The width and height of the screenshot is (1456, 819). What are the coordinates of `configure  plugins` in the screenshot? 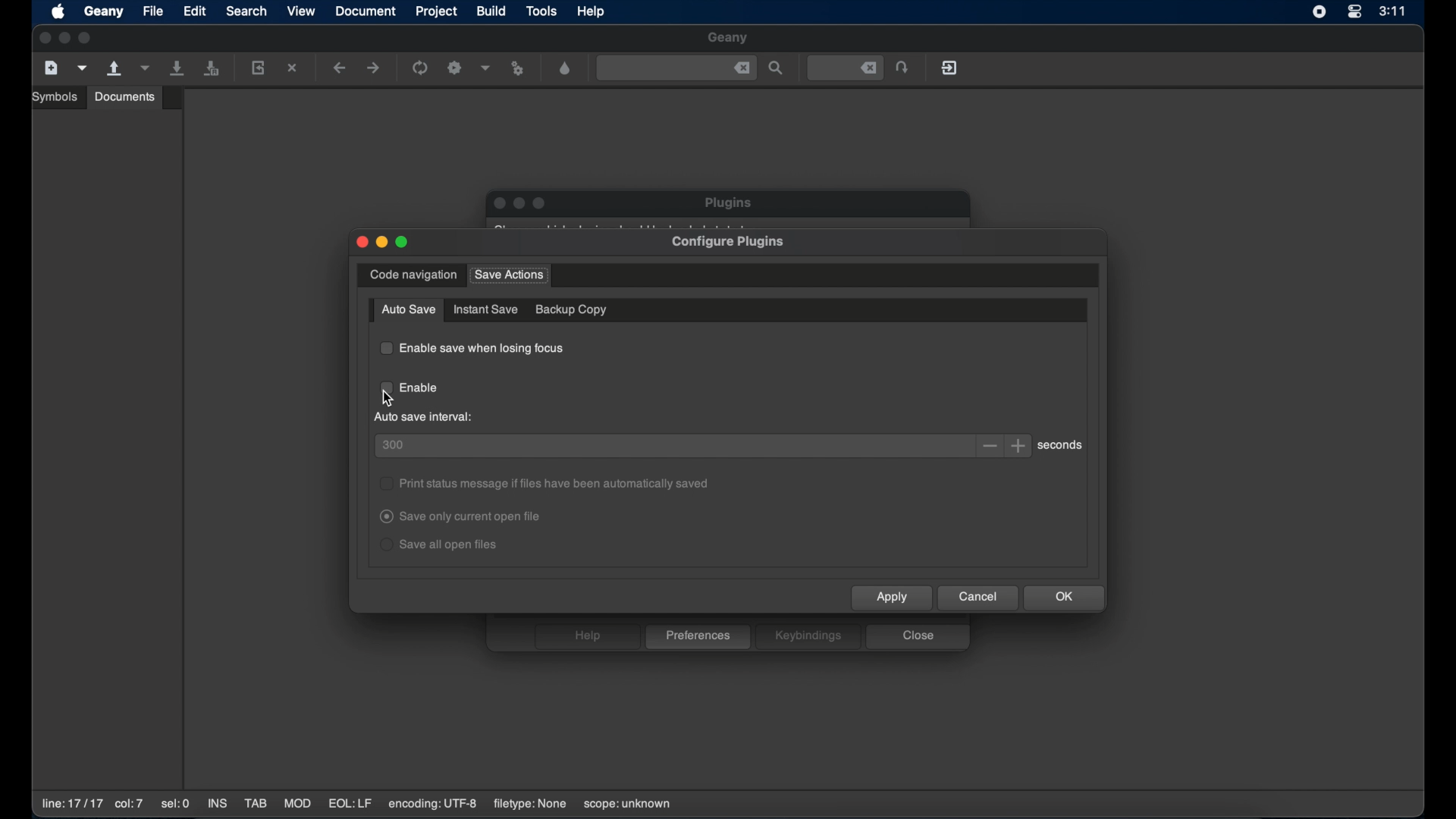 It's located at (730, 243).